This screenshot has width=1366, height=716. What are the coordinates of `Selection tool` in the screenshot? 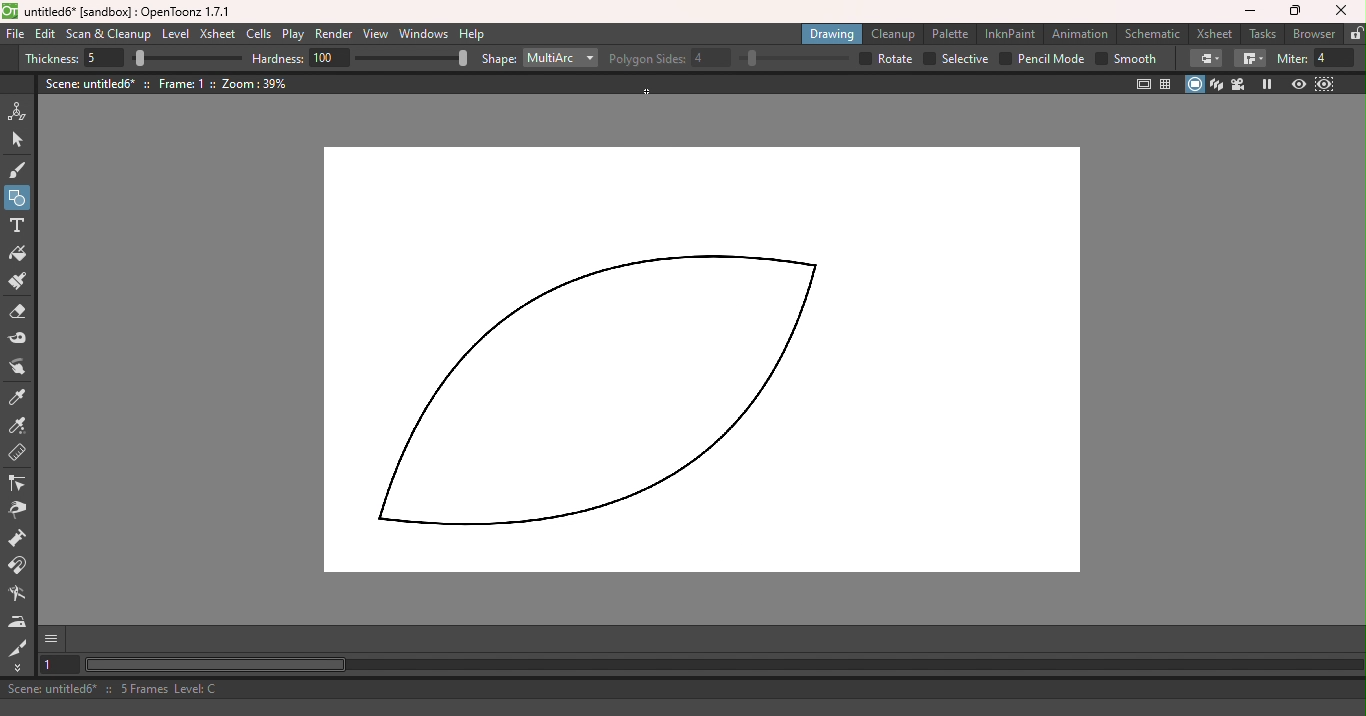 It's located at (23, 141).